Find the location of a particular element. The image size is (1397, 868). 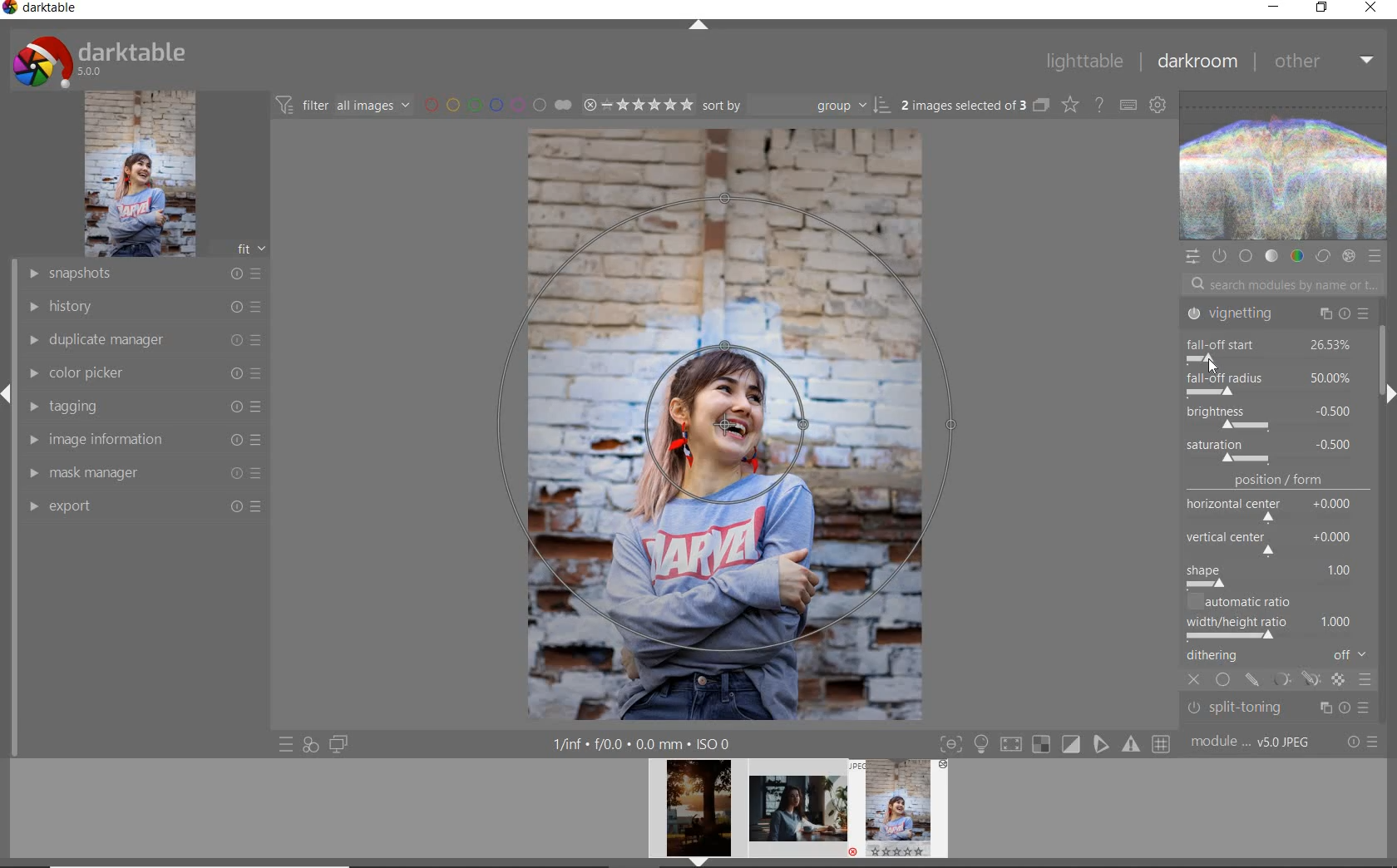

lens correction is located at coordinates (1275, 713).